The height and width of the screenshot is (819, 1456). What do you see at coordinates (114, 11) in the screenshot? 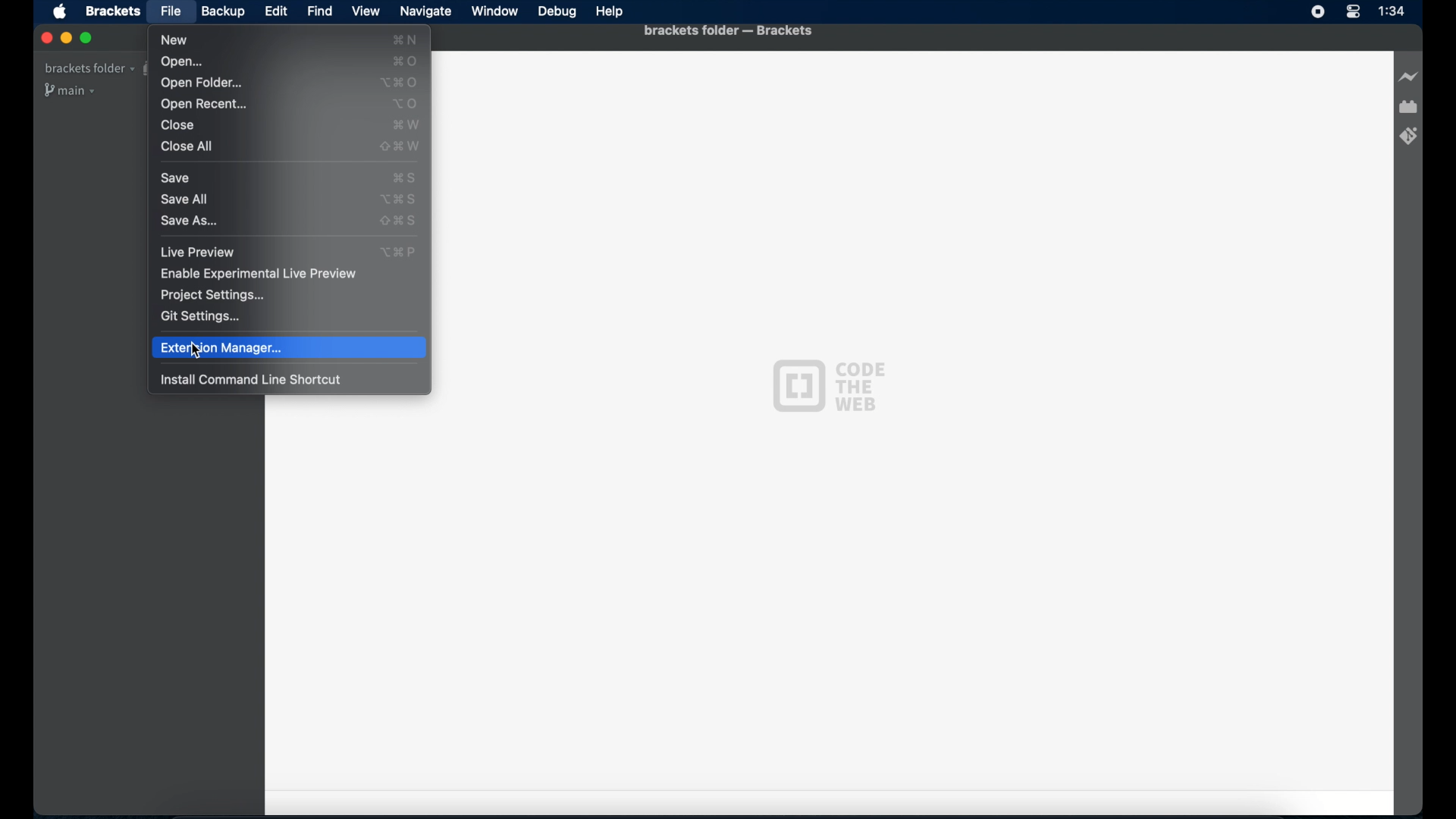
I see `Brackets` at bounding box center [114, 11].